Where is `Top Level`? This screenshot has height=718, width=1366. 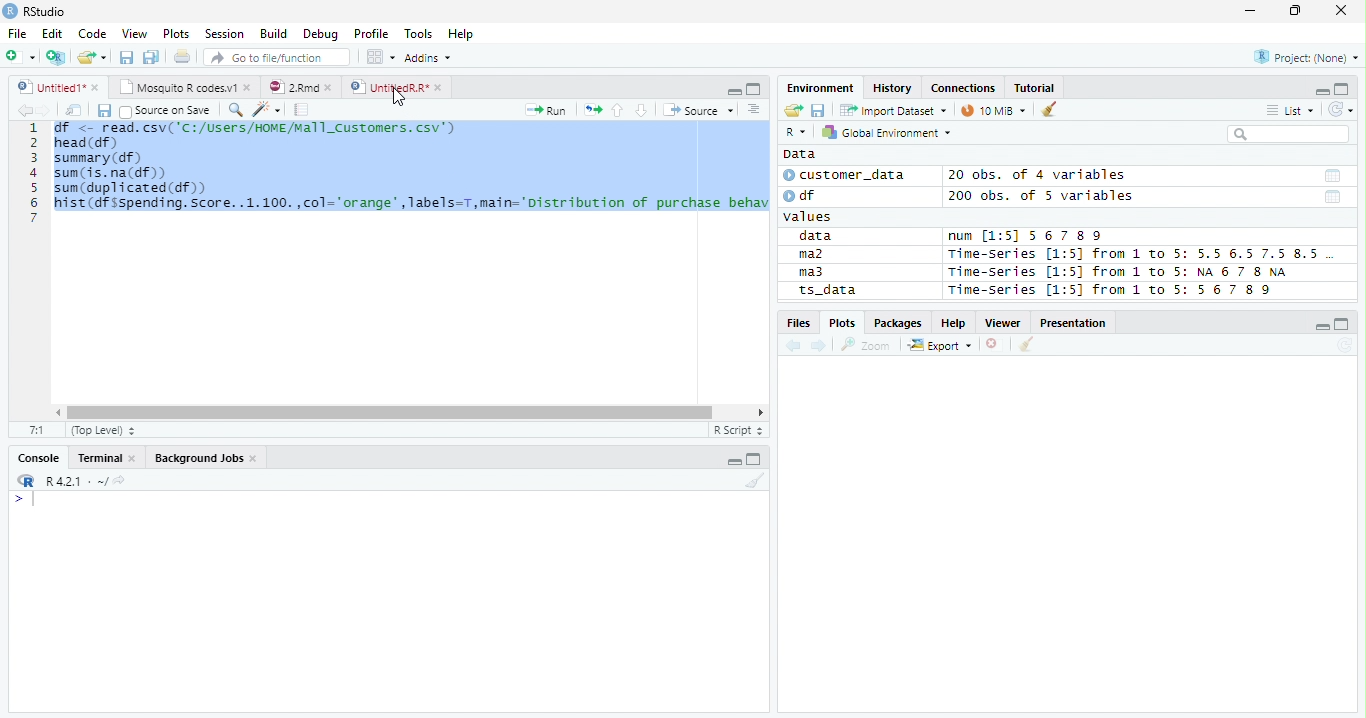
Top Level is located at coordinates (101, 431).